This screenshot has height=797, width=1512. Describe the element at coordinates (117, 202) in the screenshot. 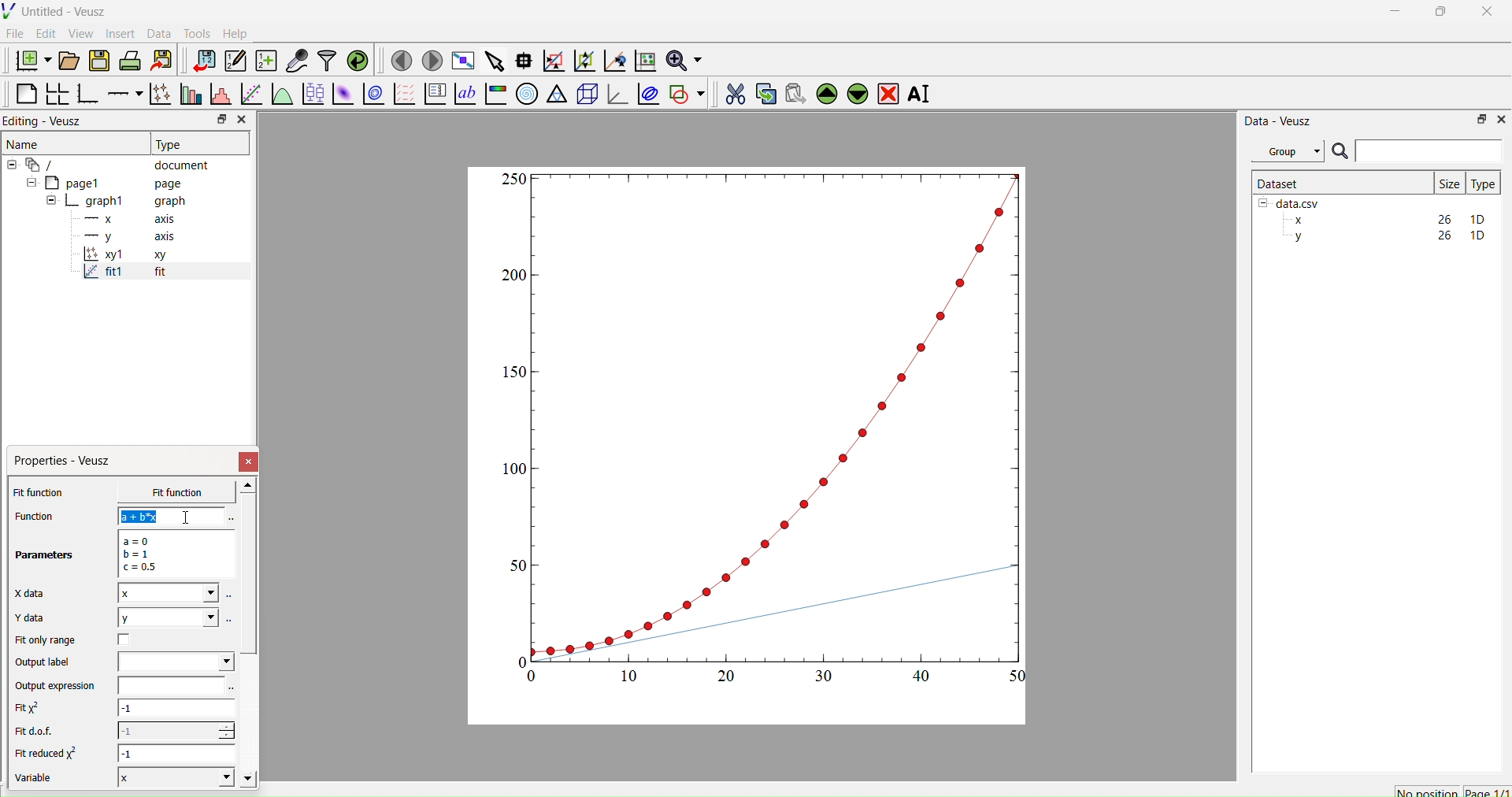

I see `graph1 graph` at that location.